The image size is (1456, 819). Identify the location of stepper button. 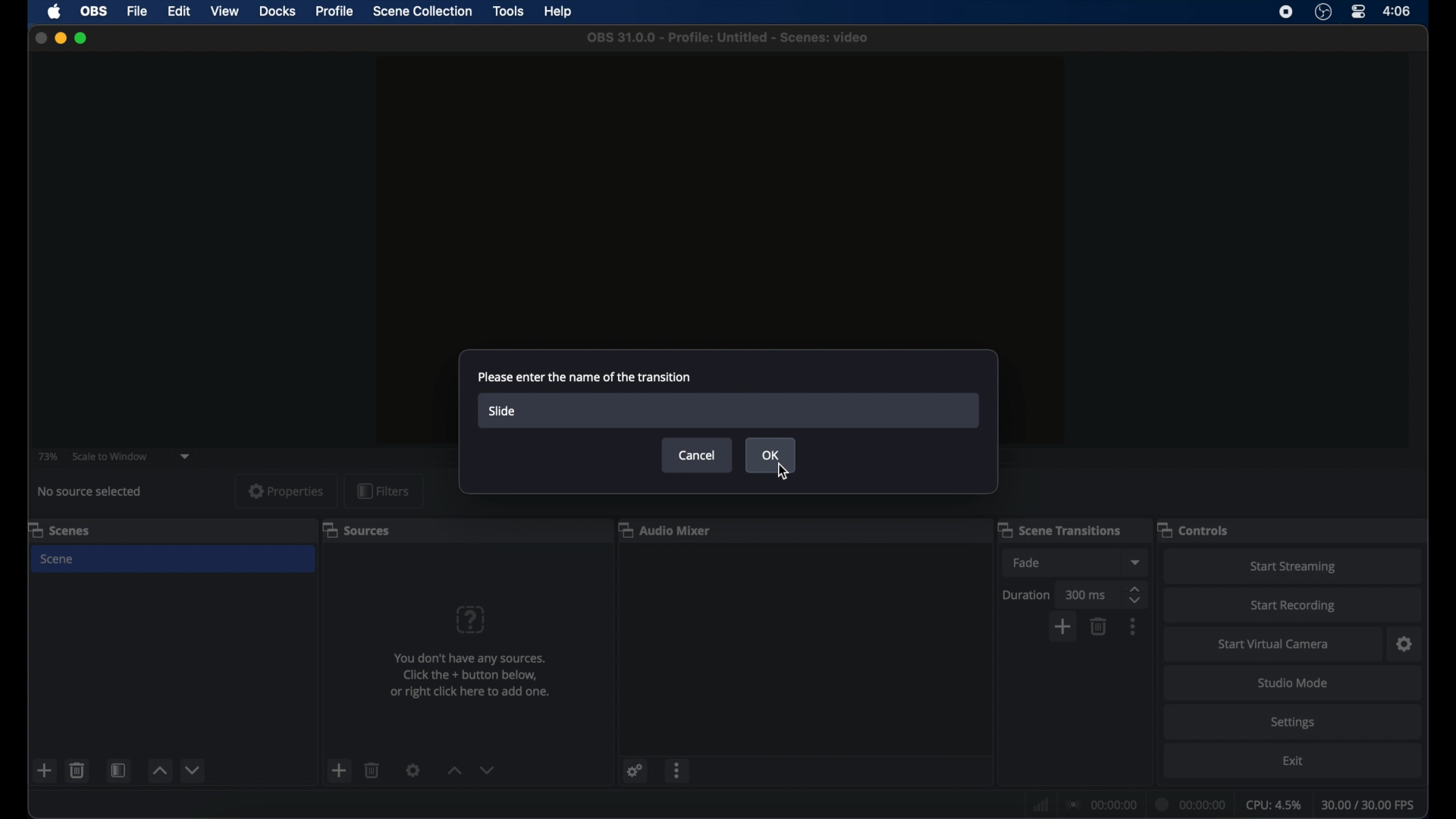
(1137, 595).